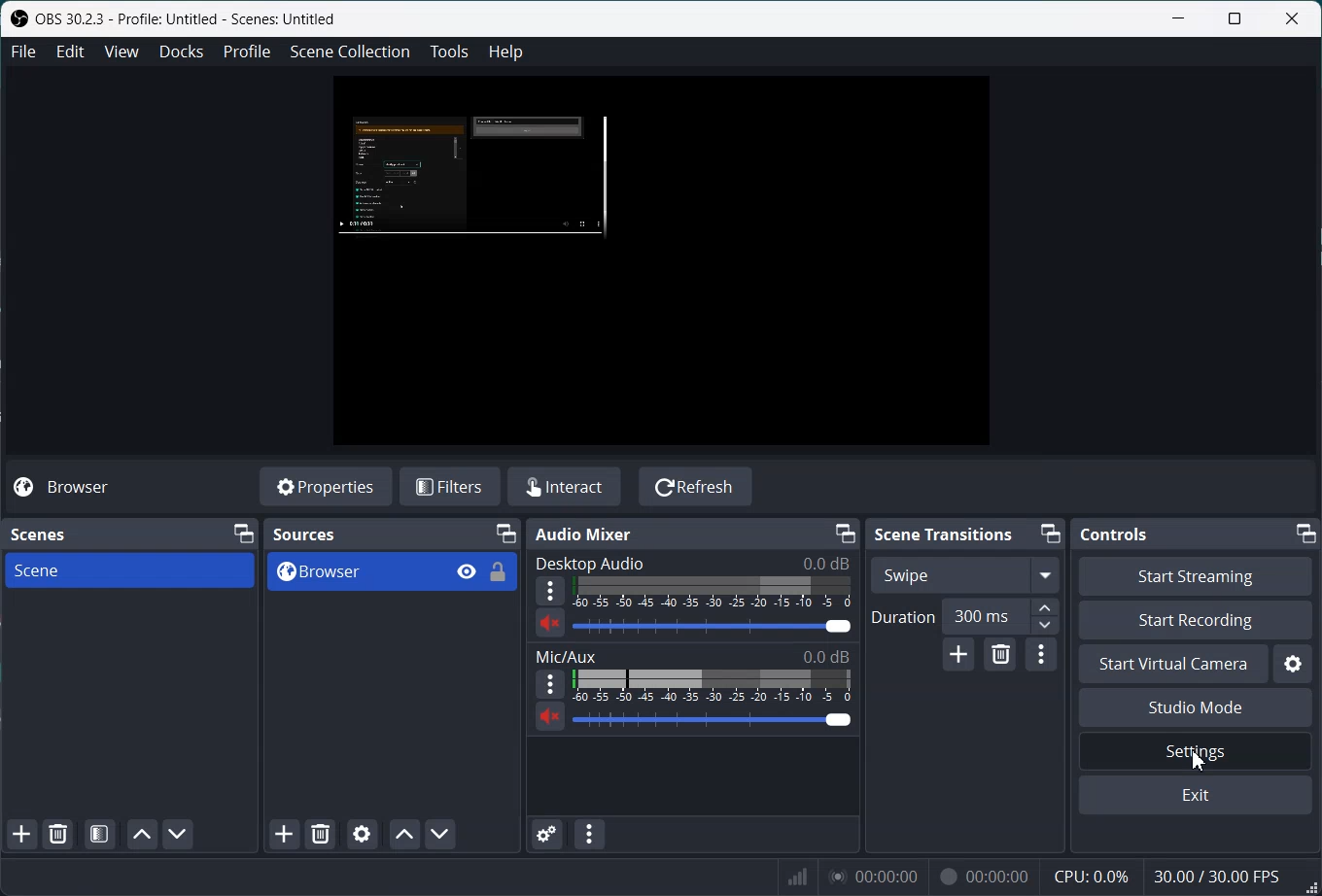  I want to click on Transition Properties, so click(1041, 656).